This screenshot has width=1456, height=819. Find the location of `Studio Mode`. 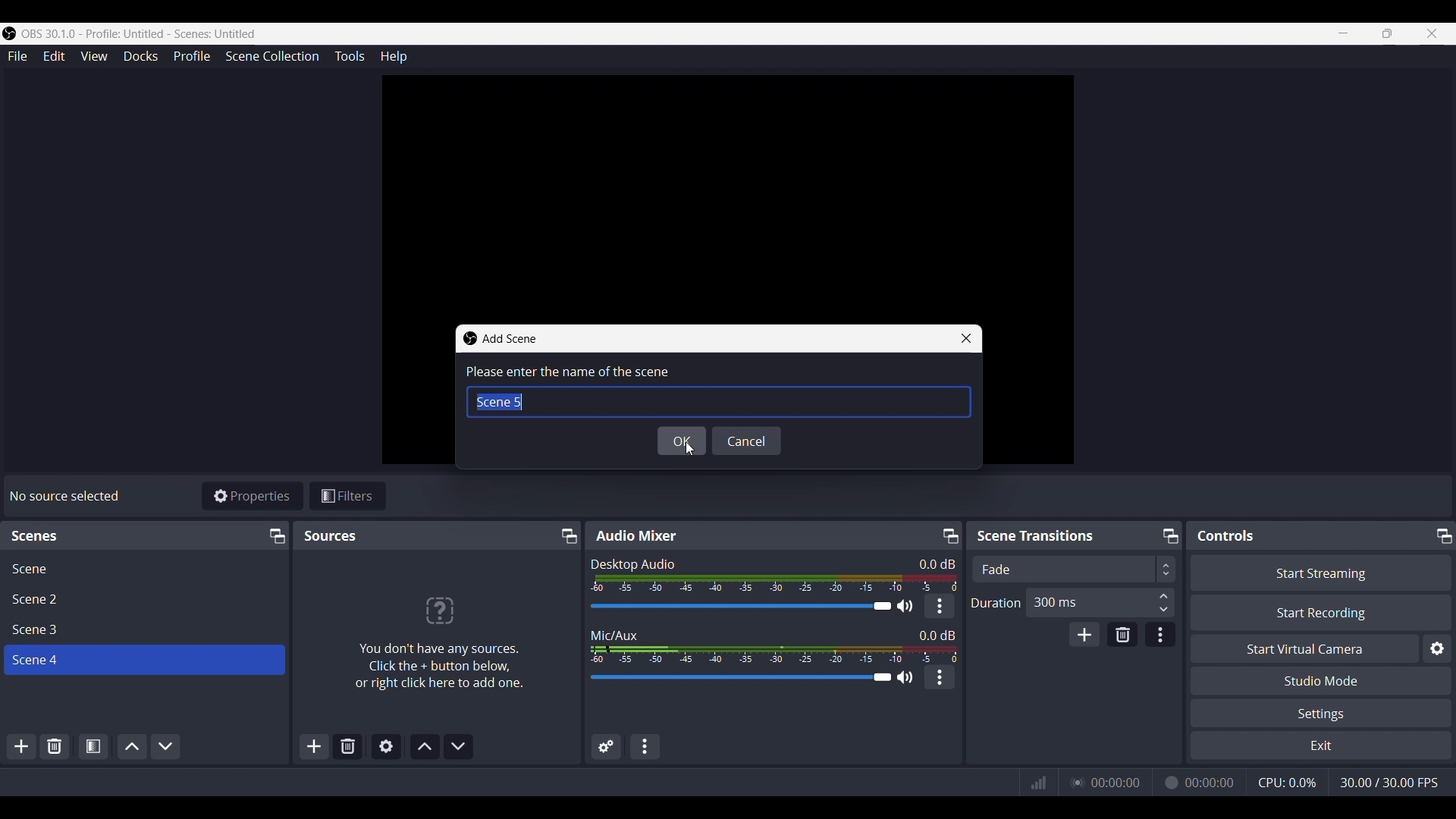

Studio Mode is located at coordinates (1323, 680).